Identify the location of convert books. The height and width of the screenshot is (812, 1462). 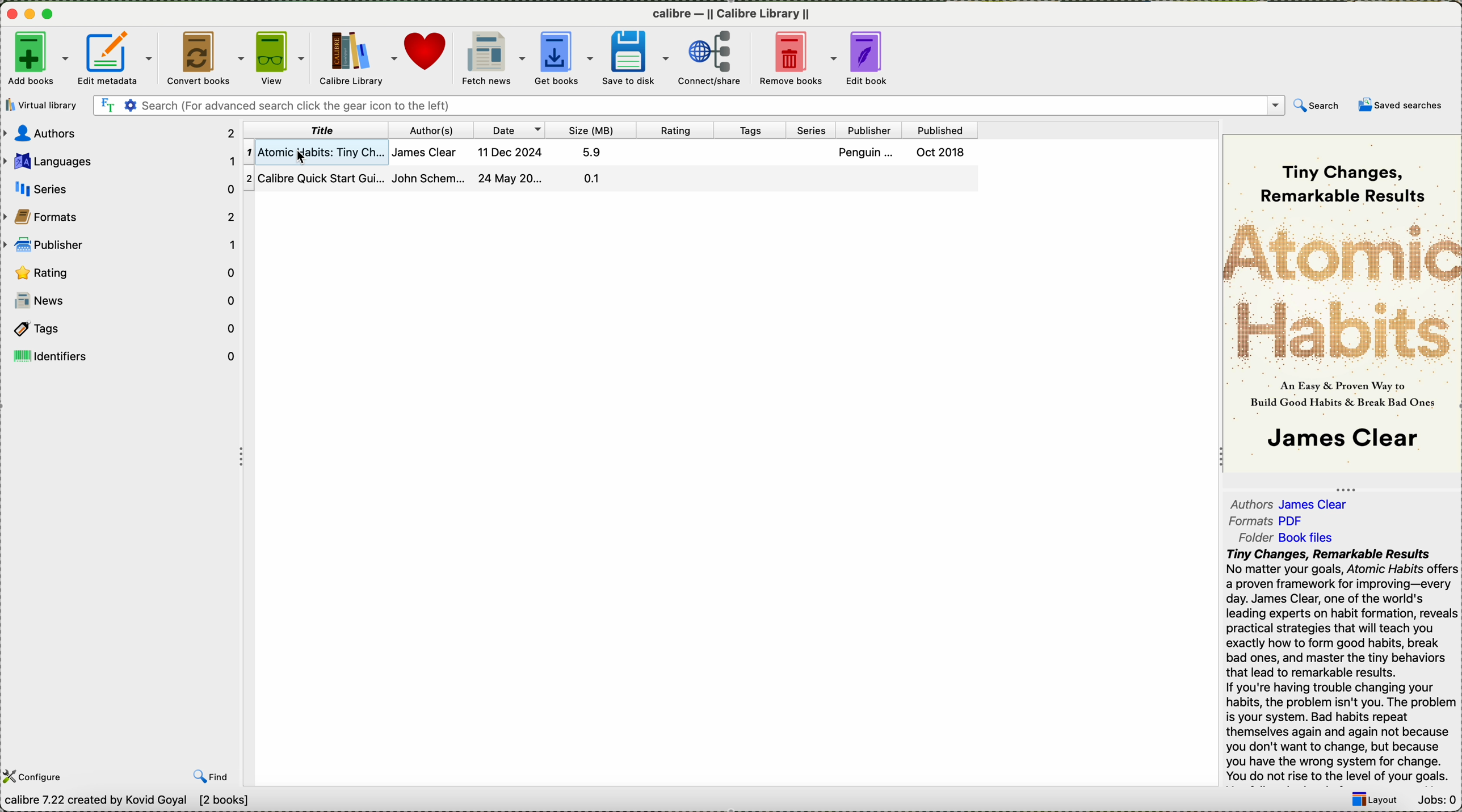
(207, 58).